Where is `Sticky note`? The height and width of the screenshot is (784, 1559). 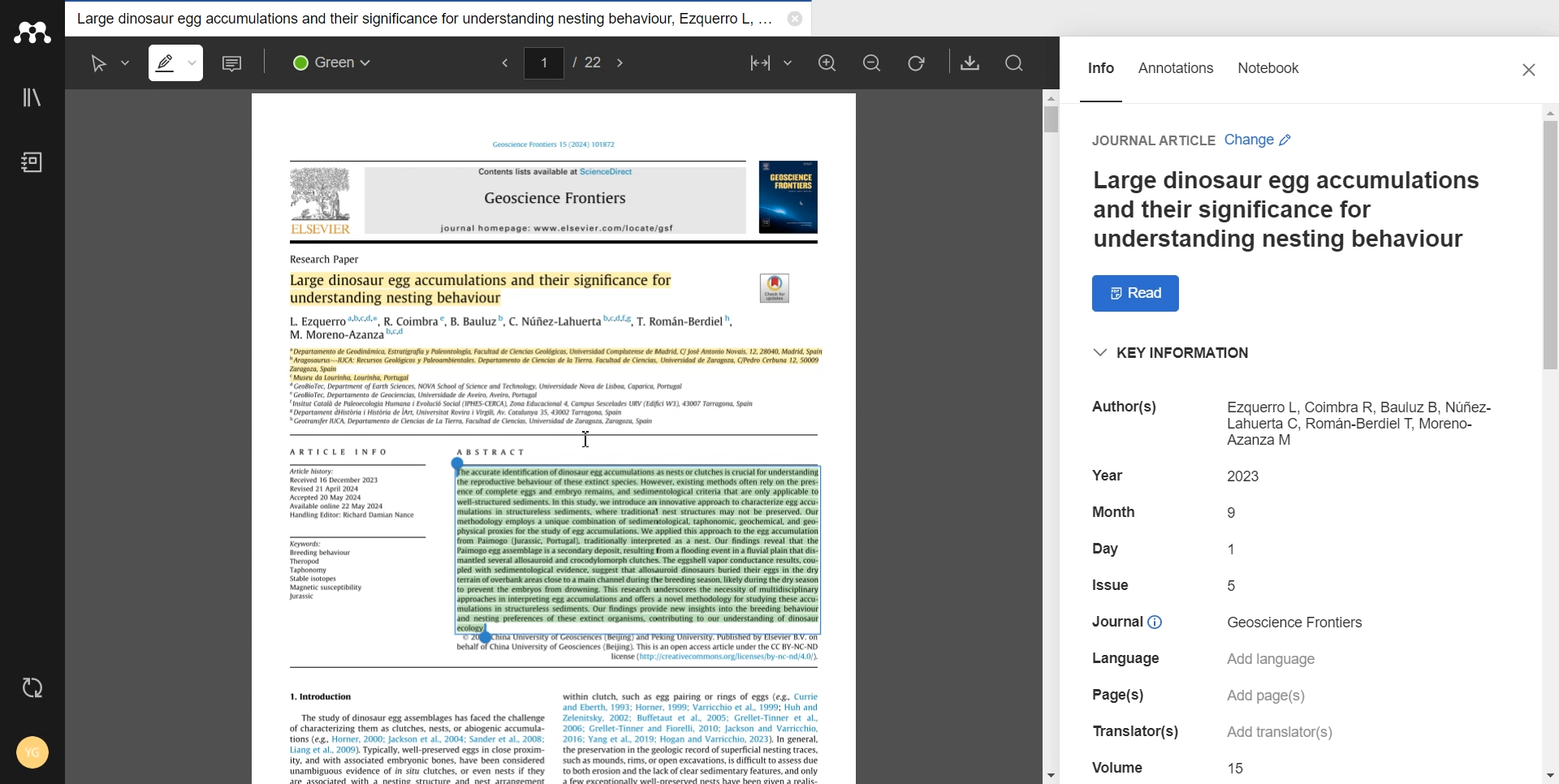 Sticky note is located at coordinates (234, 63).